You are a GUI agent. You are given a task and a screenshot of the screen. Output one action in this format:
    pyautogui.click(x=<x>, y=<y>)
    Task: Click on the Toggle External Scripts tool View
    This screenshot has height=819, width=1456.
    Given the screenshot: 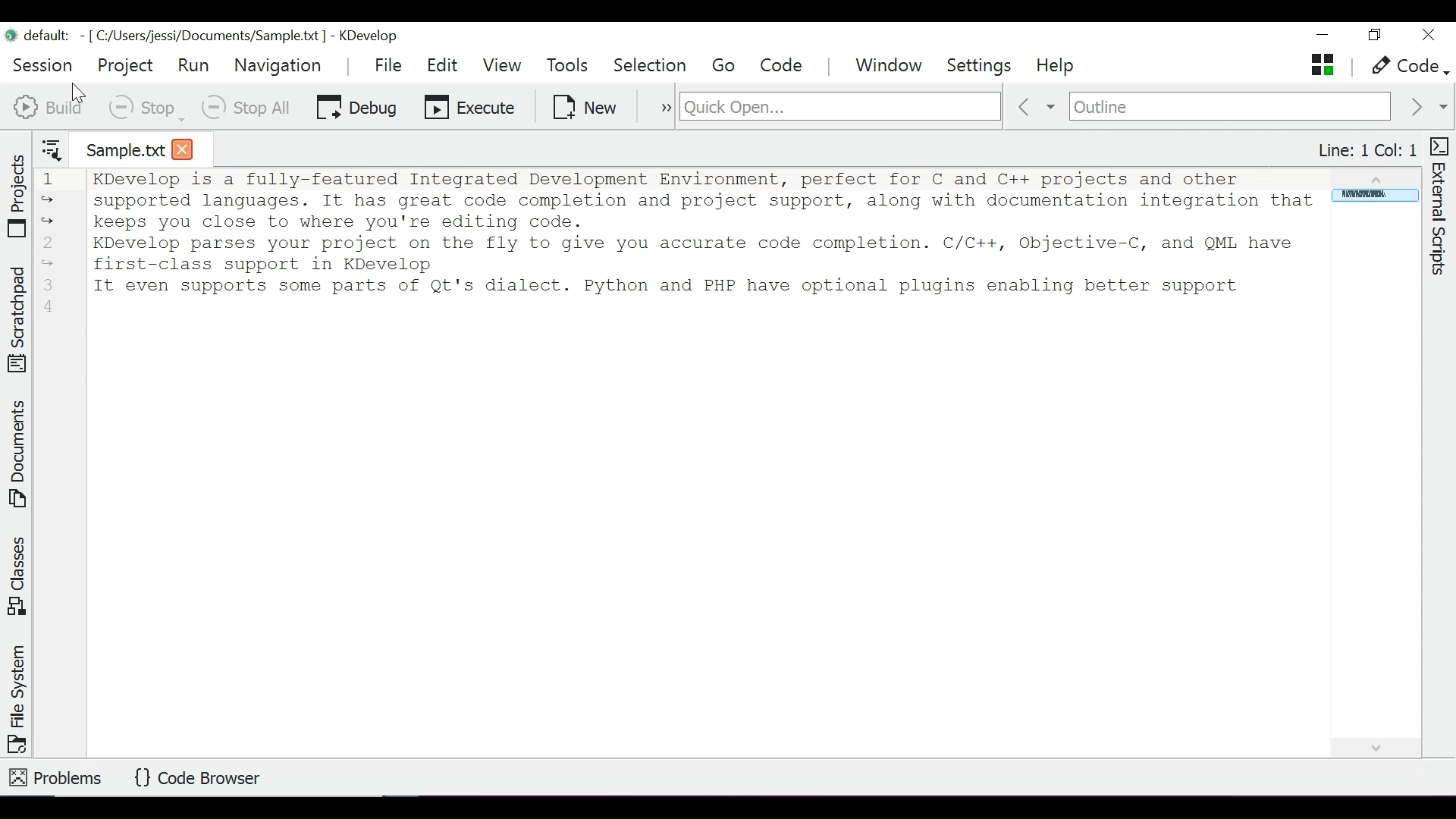 What is the action you would take?
    pyautogui.click(x=1439, y=209)
    